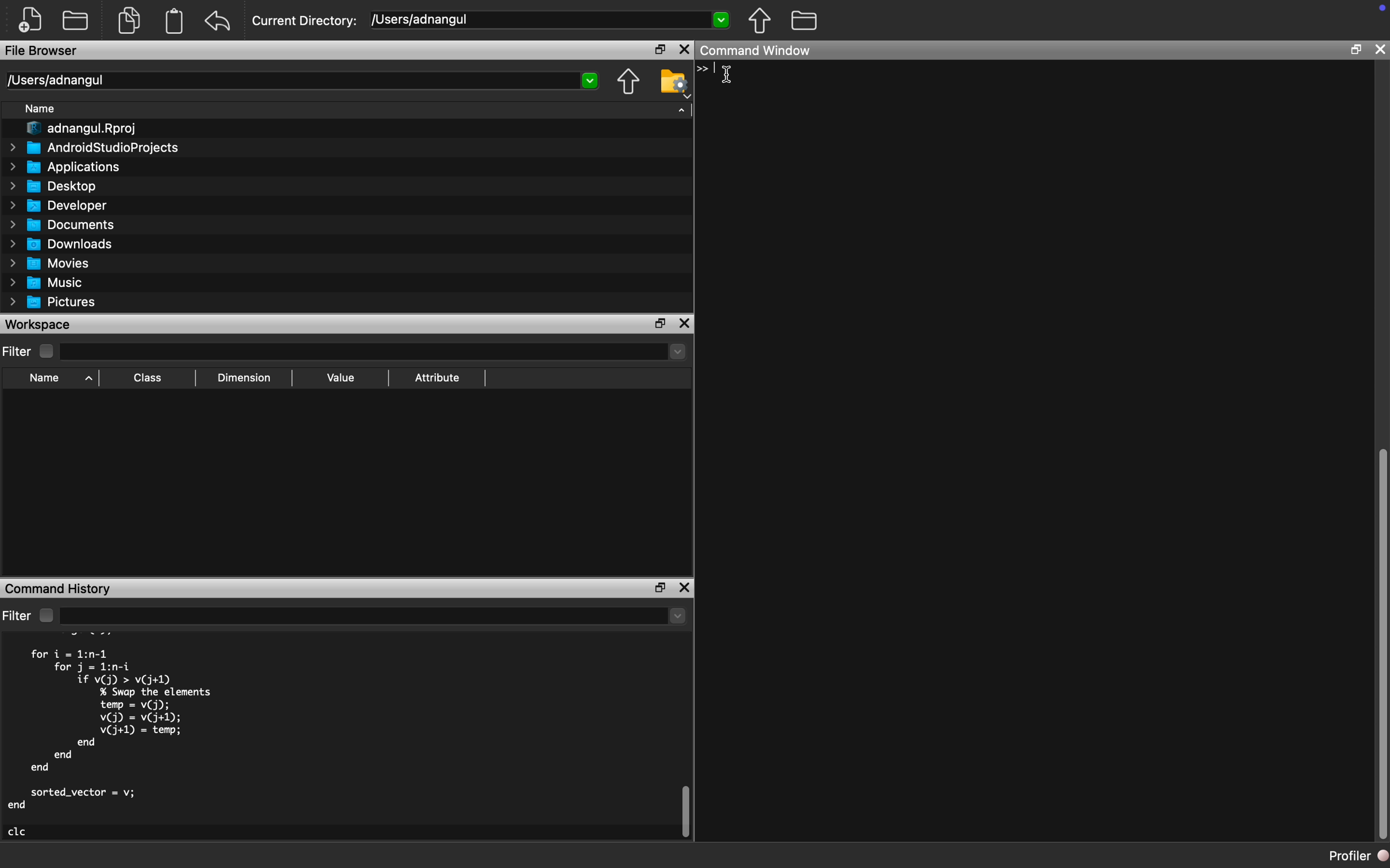 The image size is (1390, 868). What do you see at coordinates (148, 377) in the screenshot?
I see `Class` at bounding box center [148, 377].